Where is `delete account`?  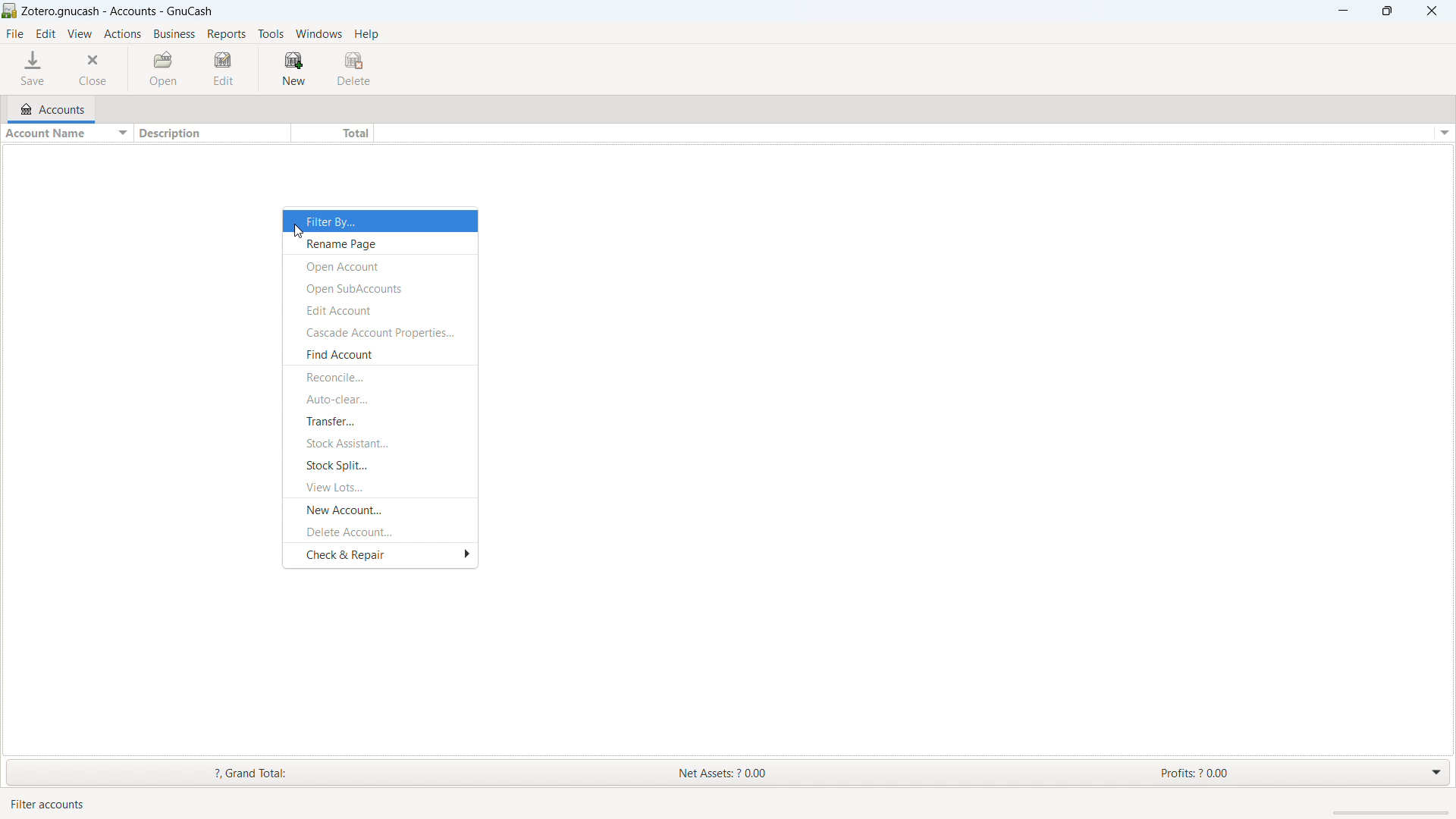 delete account is located at coordinates (379, 532).